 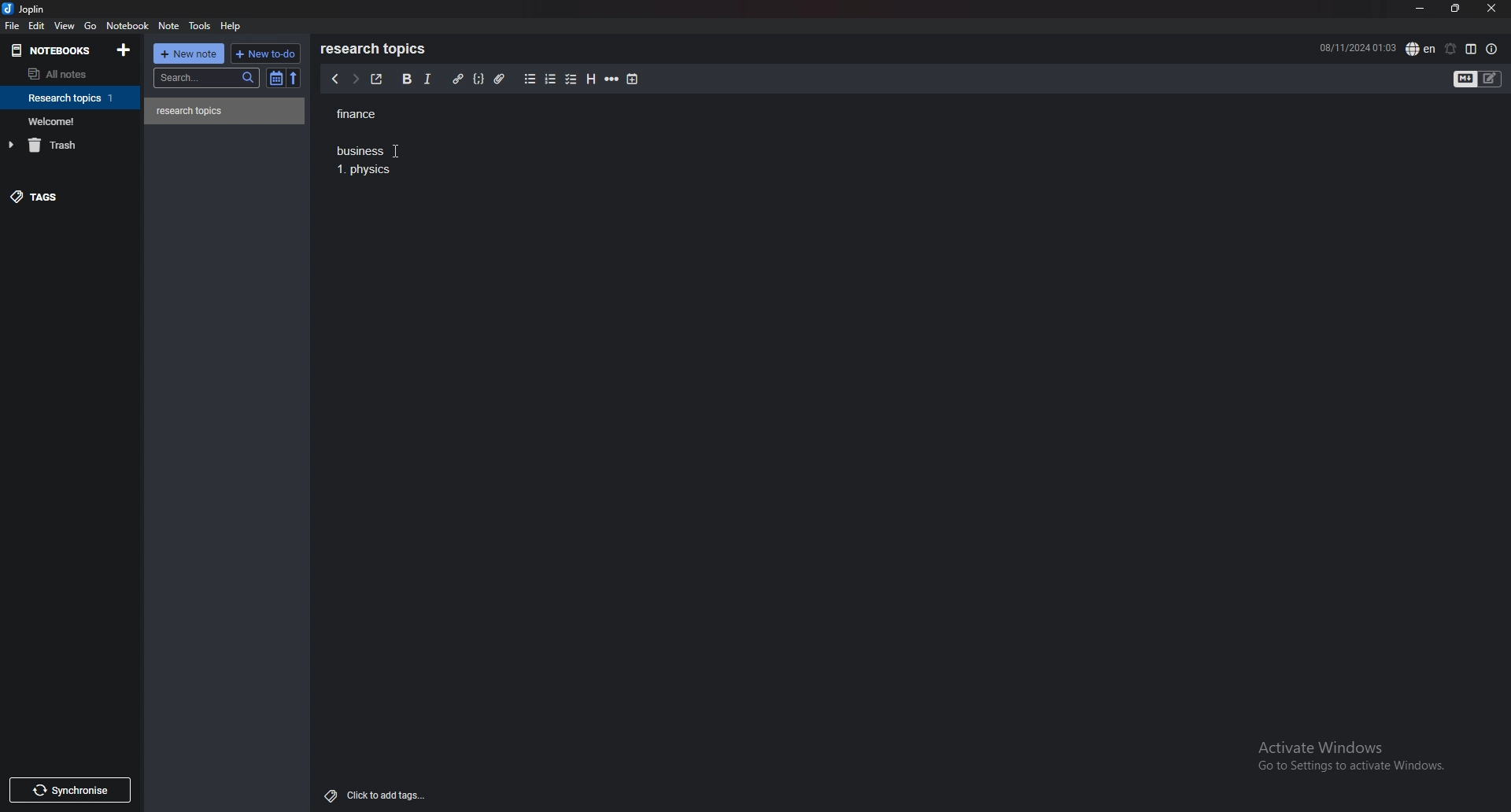 I want to click on note properties, so click(x=1492, y=49).